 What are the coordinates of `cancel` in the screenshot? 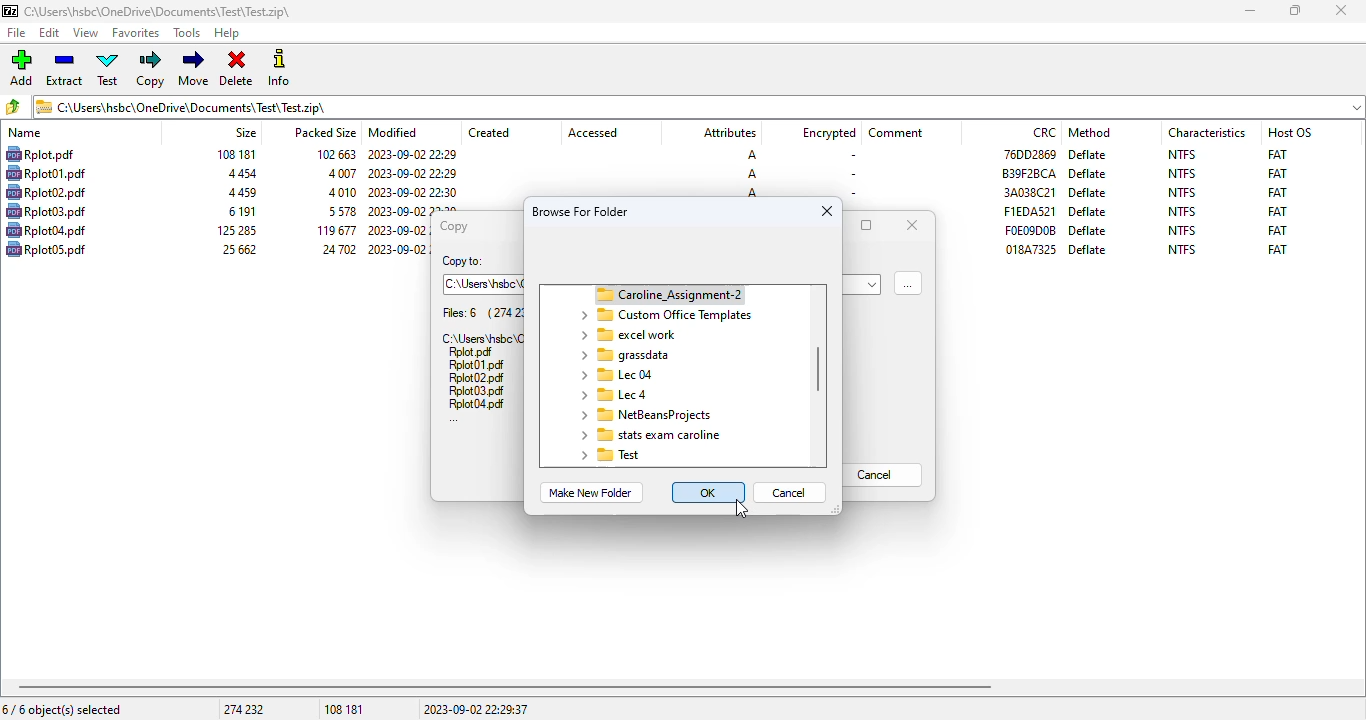 It's located at (790, 492).